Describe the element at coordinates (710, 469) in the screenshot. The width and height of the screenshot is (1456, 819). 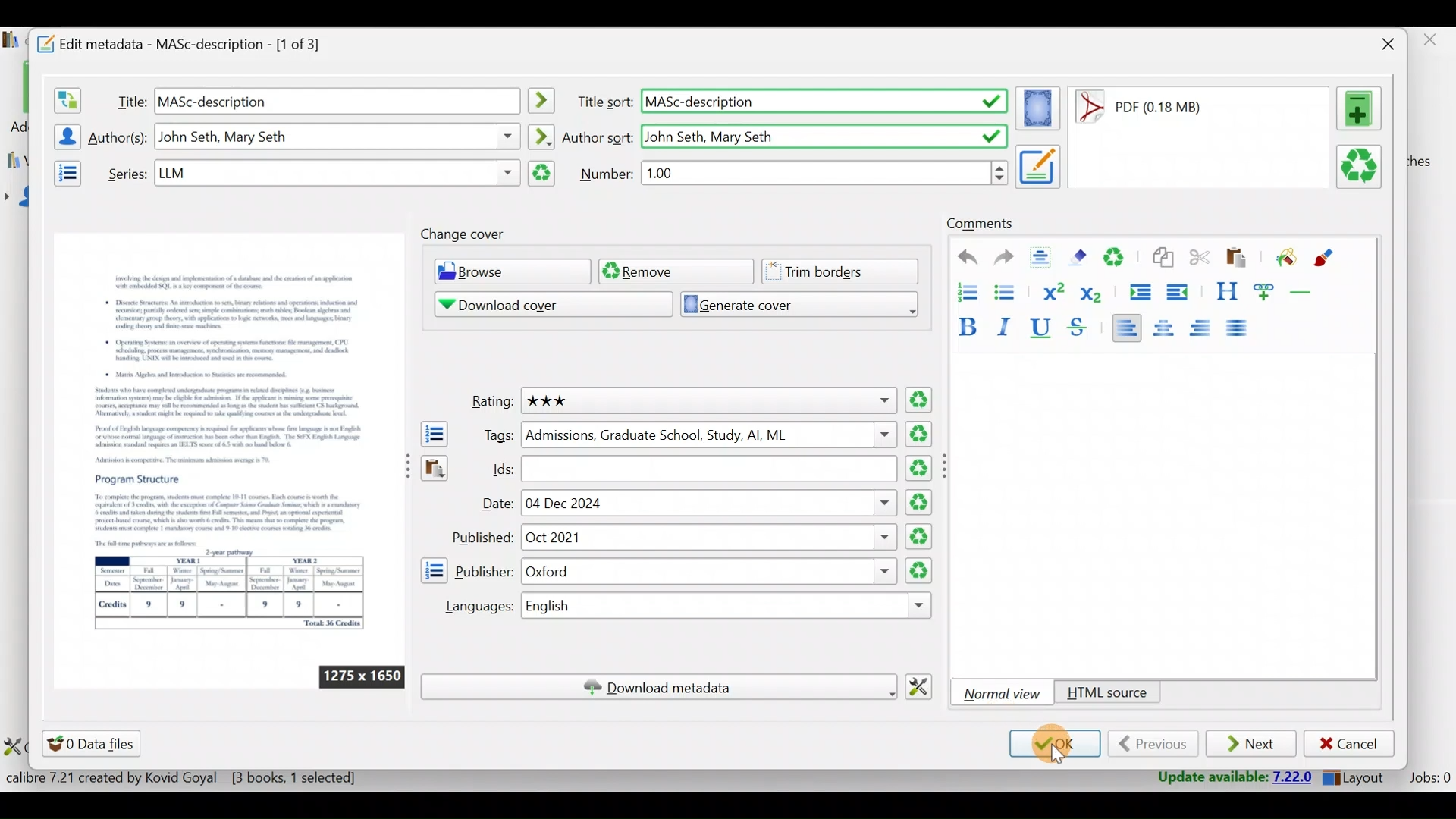
I see `` at that location.